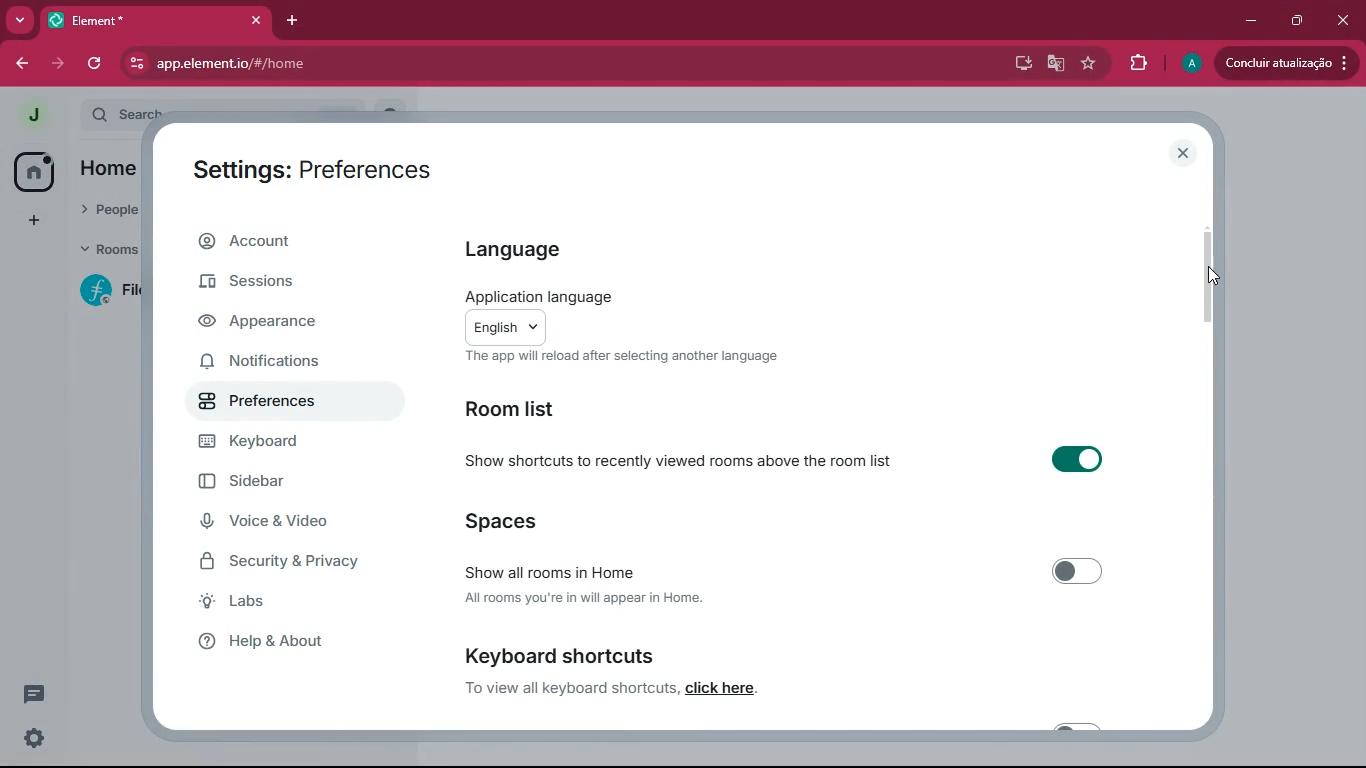  I want to click on maximize, so click(1293, 18).